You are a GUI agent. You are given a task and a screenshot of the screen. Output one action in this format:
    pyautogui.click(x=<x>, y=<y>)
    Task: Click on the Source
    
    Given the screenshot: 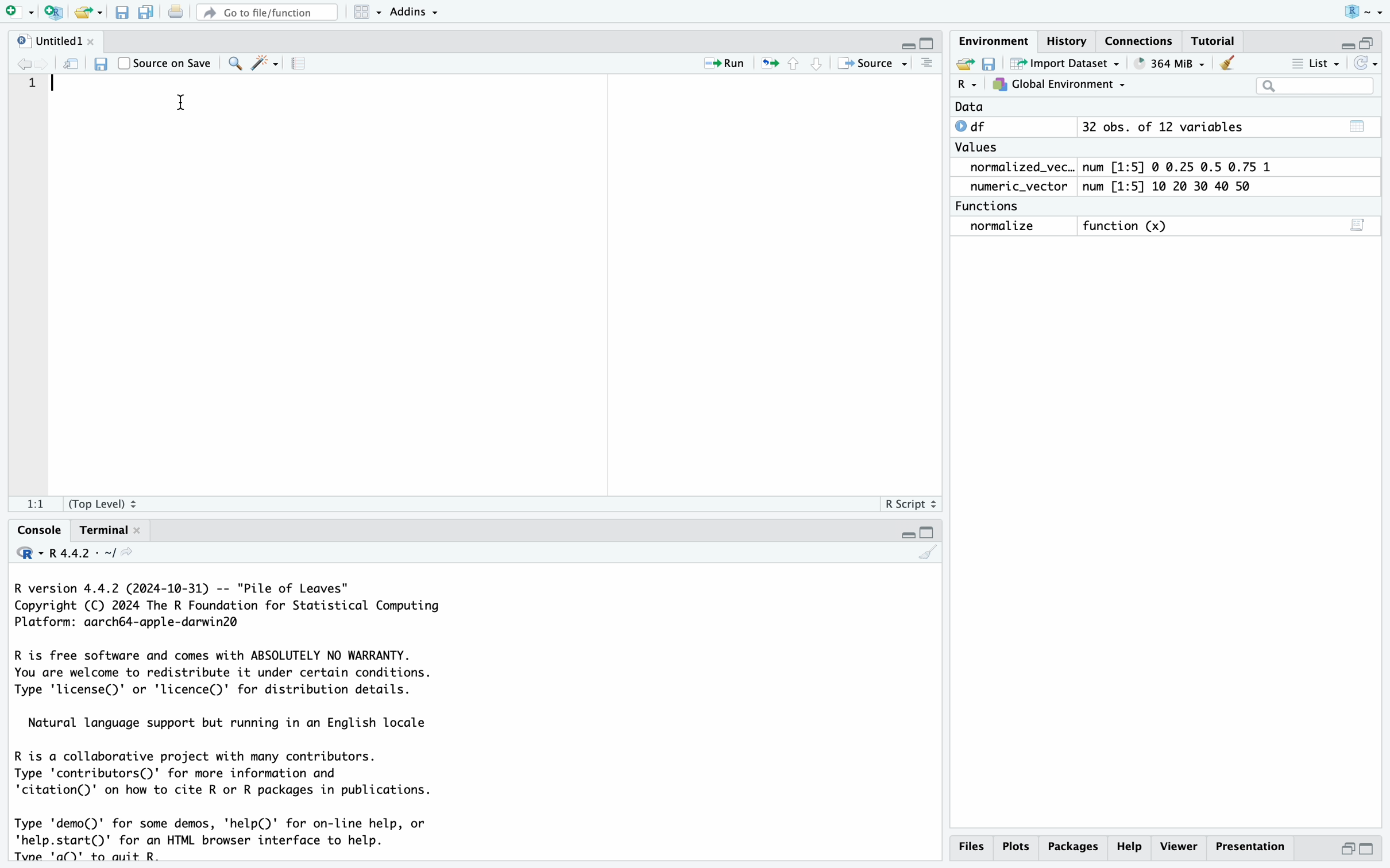 What is the action you would take?
    pyautogui.click(x=871, y=63)
    